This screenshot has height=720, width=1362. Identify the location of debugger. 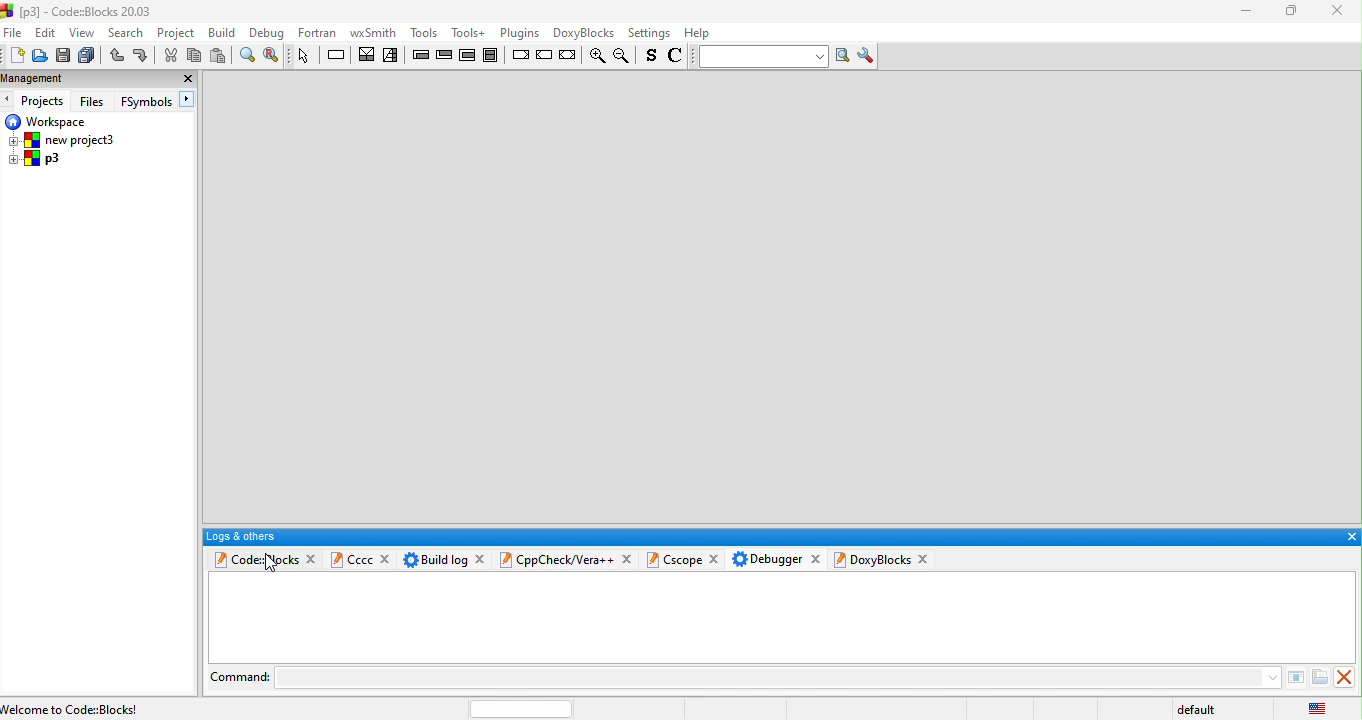
(767, 558).